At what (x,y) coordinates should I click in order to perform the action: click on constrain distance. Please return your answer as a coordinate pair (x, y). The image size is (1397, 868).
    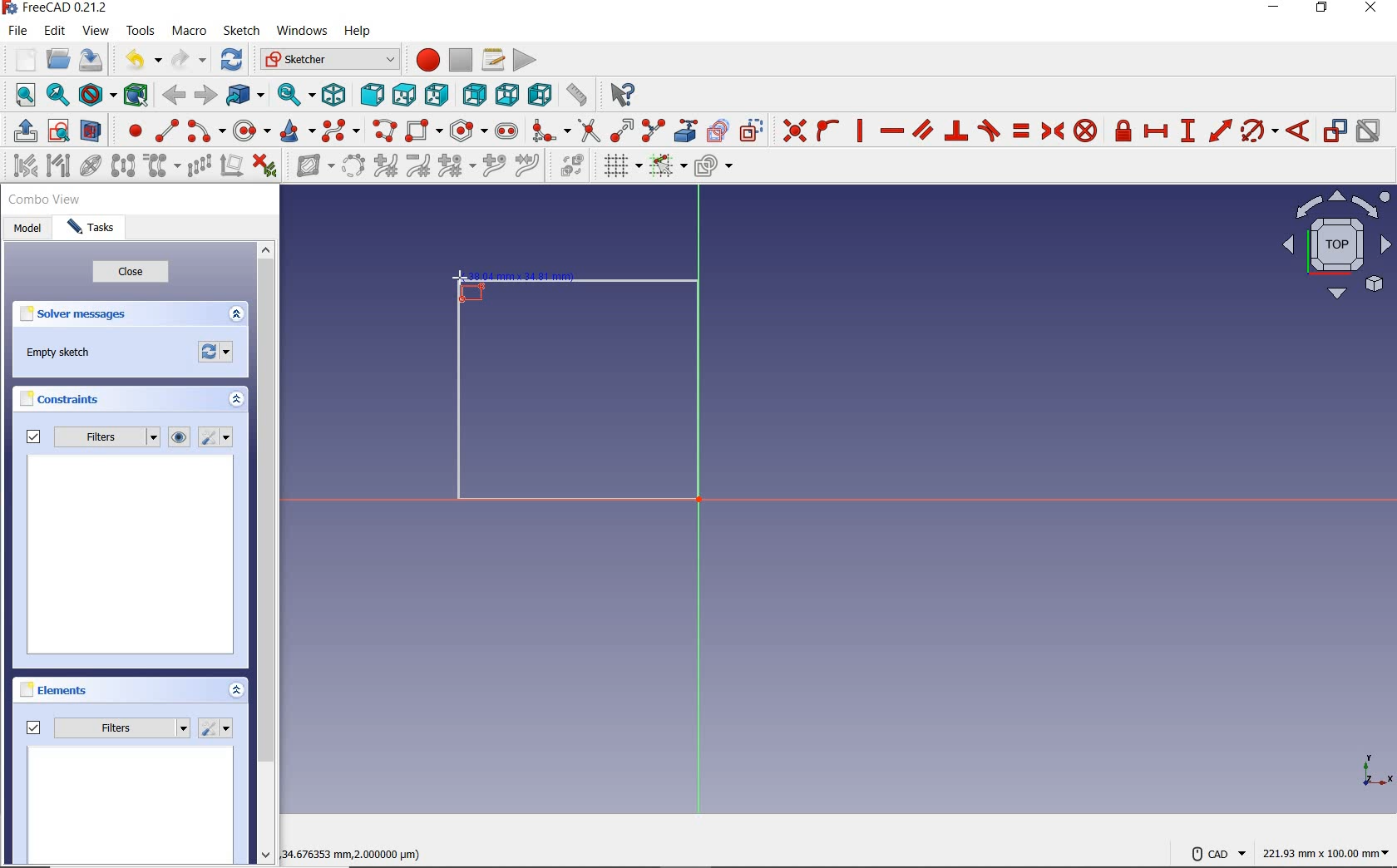
    Looking at the image, I should click on (1219, 131).